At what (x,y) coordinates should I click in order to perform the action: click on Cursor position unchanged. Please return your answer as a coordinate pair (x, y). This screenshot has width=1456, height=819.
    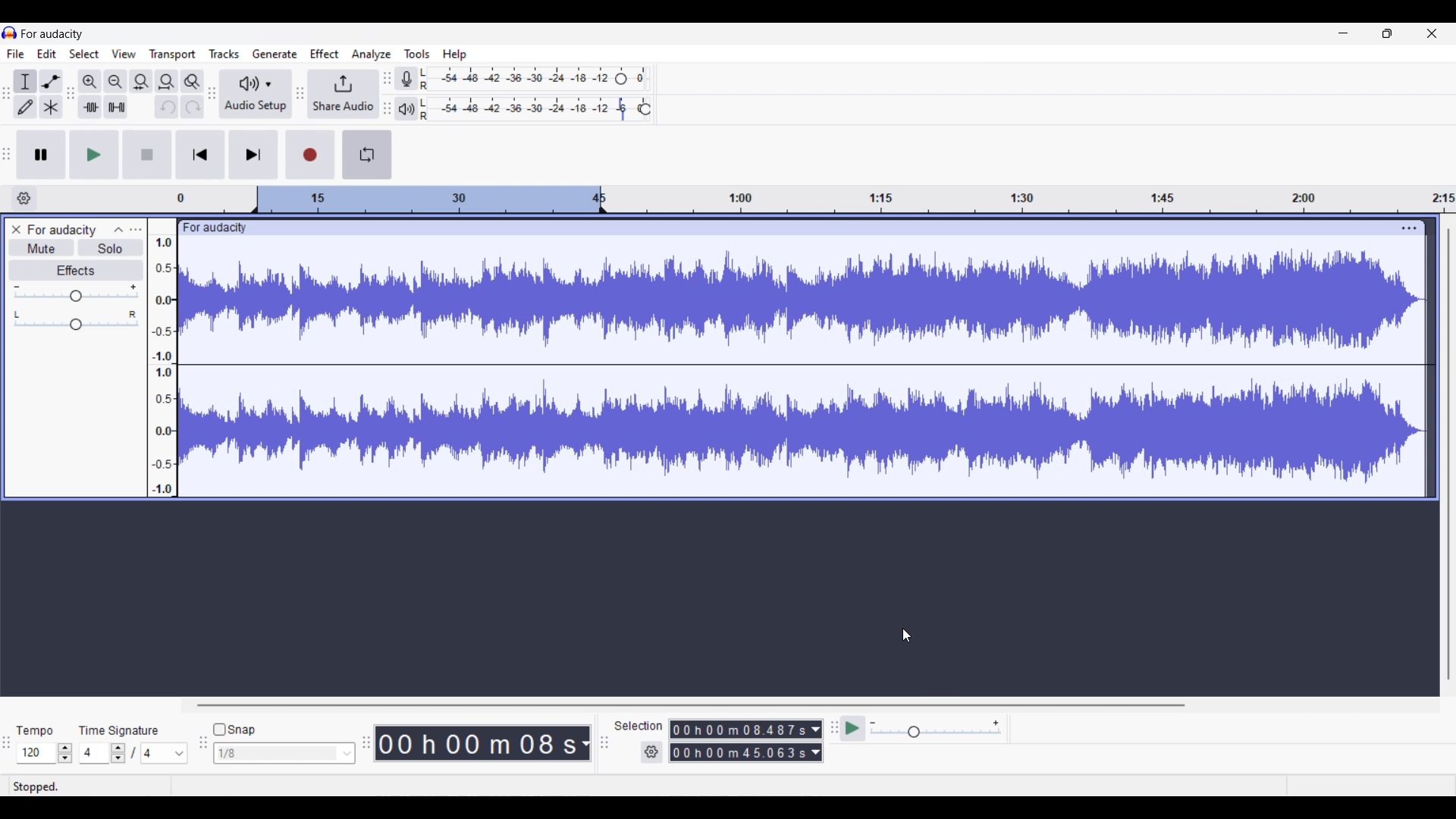
    Looking at the image, I should click on (906, 635).